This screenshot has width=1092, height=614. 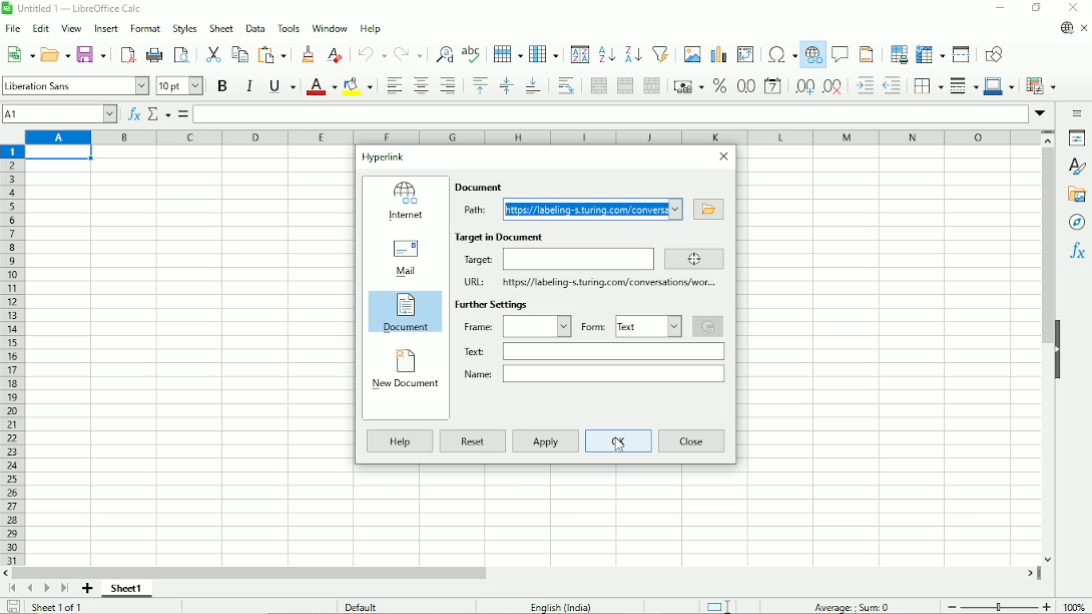 What do you see at coordinates (545, 53) in the screenshot?
I see `Column` at bounding box center [545, 53].